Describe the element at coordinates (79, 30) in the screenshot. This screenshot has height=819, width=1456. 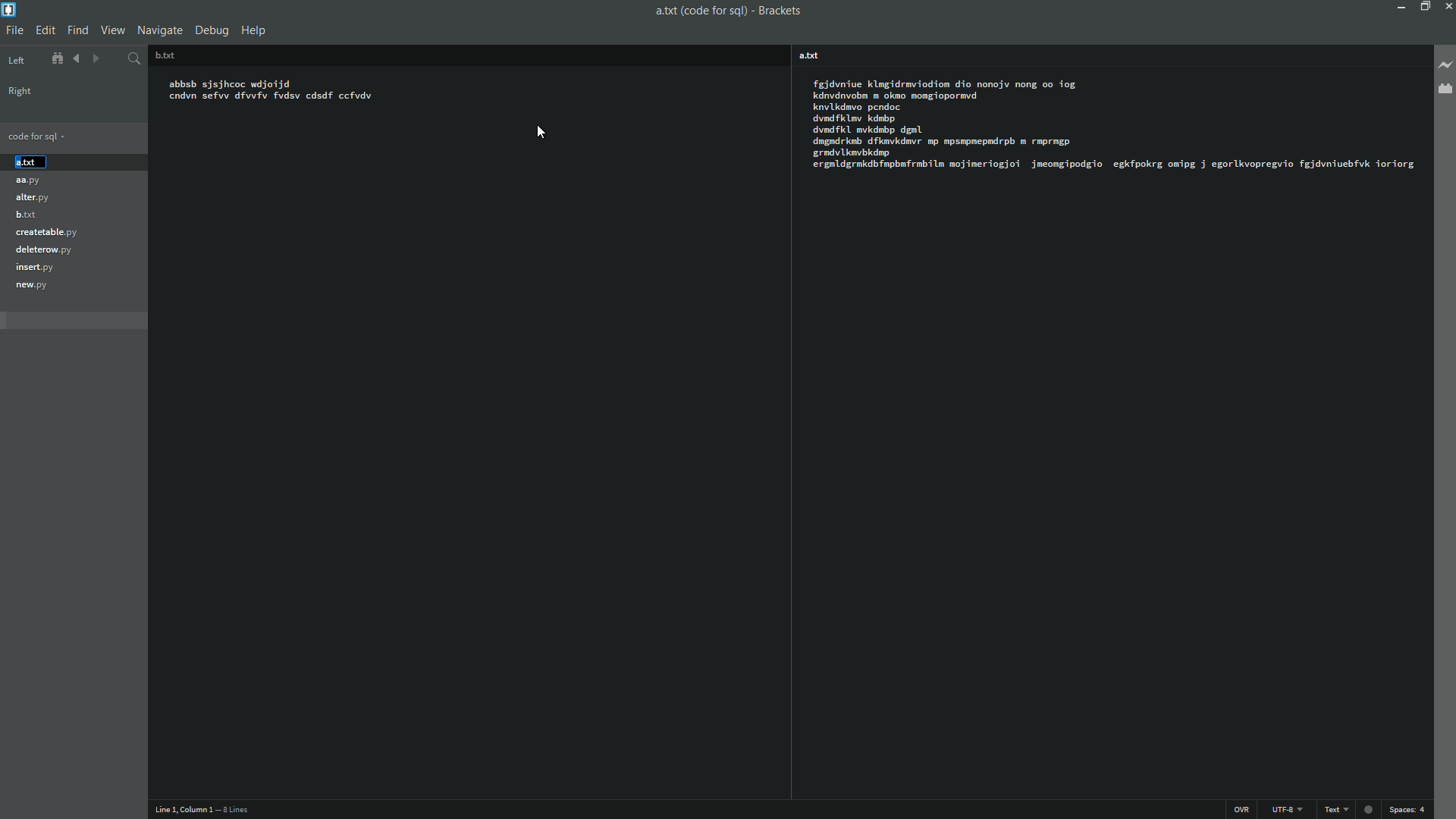
I see `find menu` at that location.